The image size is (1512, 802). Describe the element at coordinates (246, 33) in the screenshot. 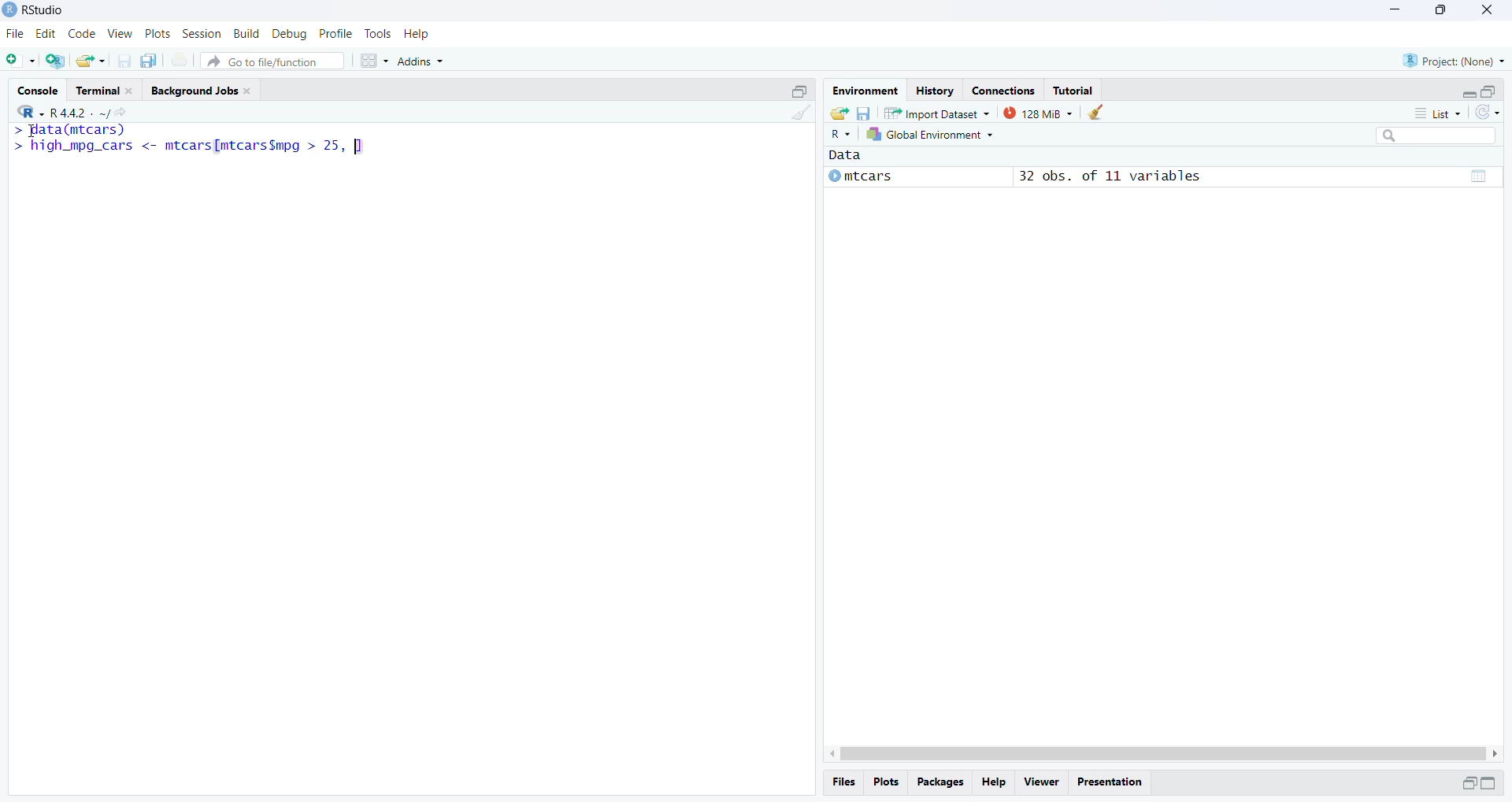

I see `Build` at that location.